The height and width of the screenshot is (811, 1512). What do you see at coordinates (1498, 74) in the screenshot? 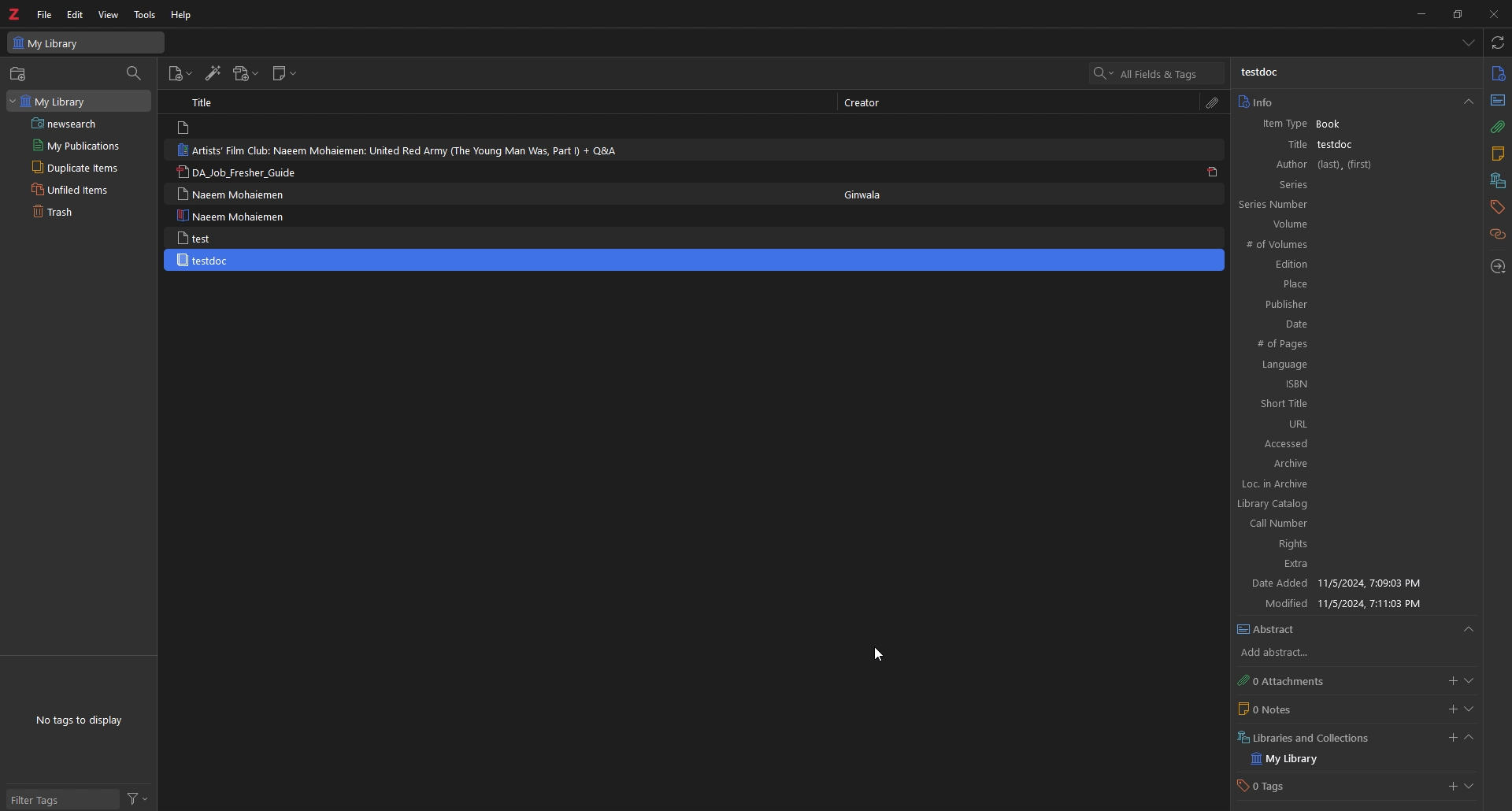
I see `info` at bounding box center [1498, 74].